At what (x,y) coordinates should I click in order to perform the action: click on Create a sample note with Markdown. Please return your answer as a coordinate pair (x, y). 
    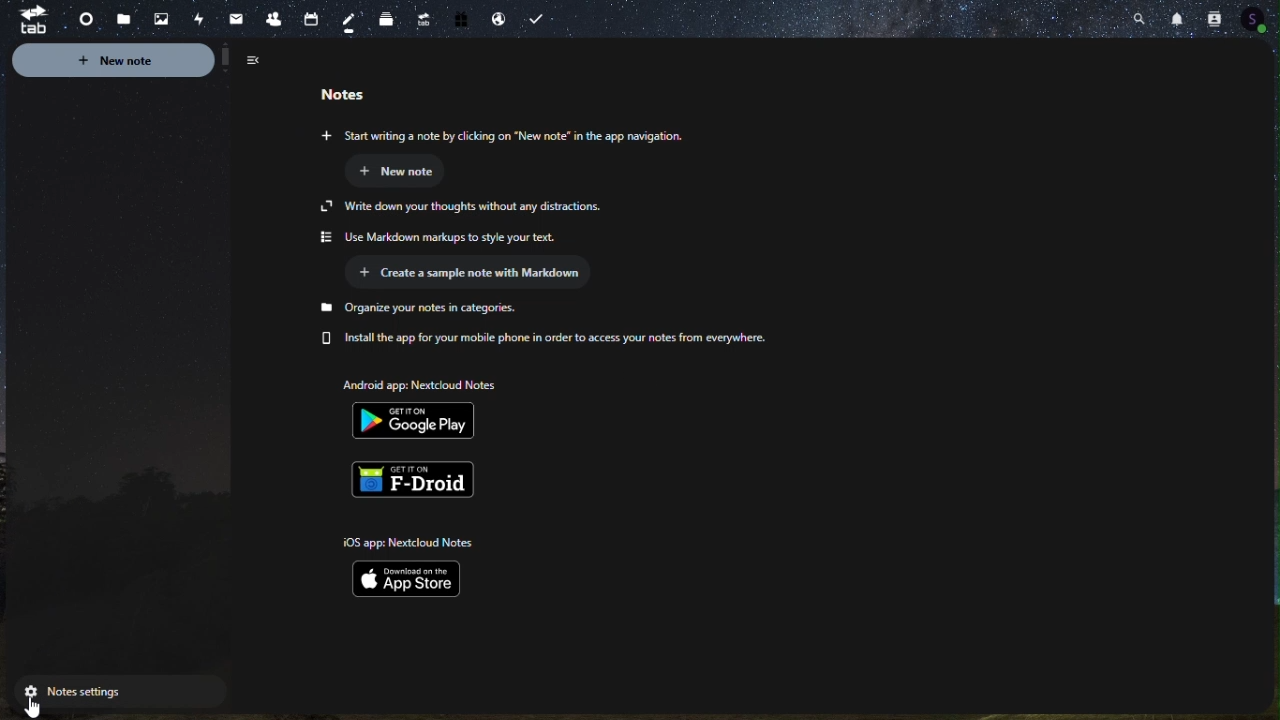
    Looking at the image, I should click on (476, 275).